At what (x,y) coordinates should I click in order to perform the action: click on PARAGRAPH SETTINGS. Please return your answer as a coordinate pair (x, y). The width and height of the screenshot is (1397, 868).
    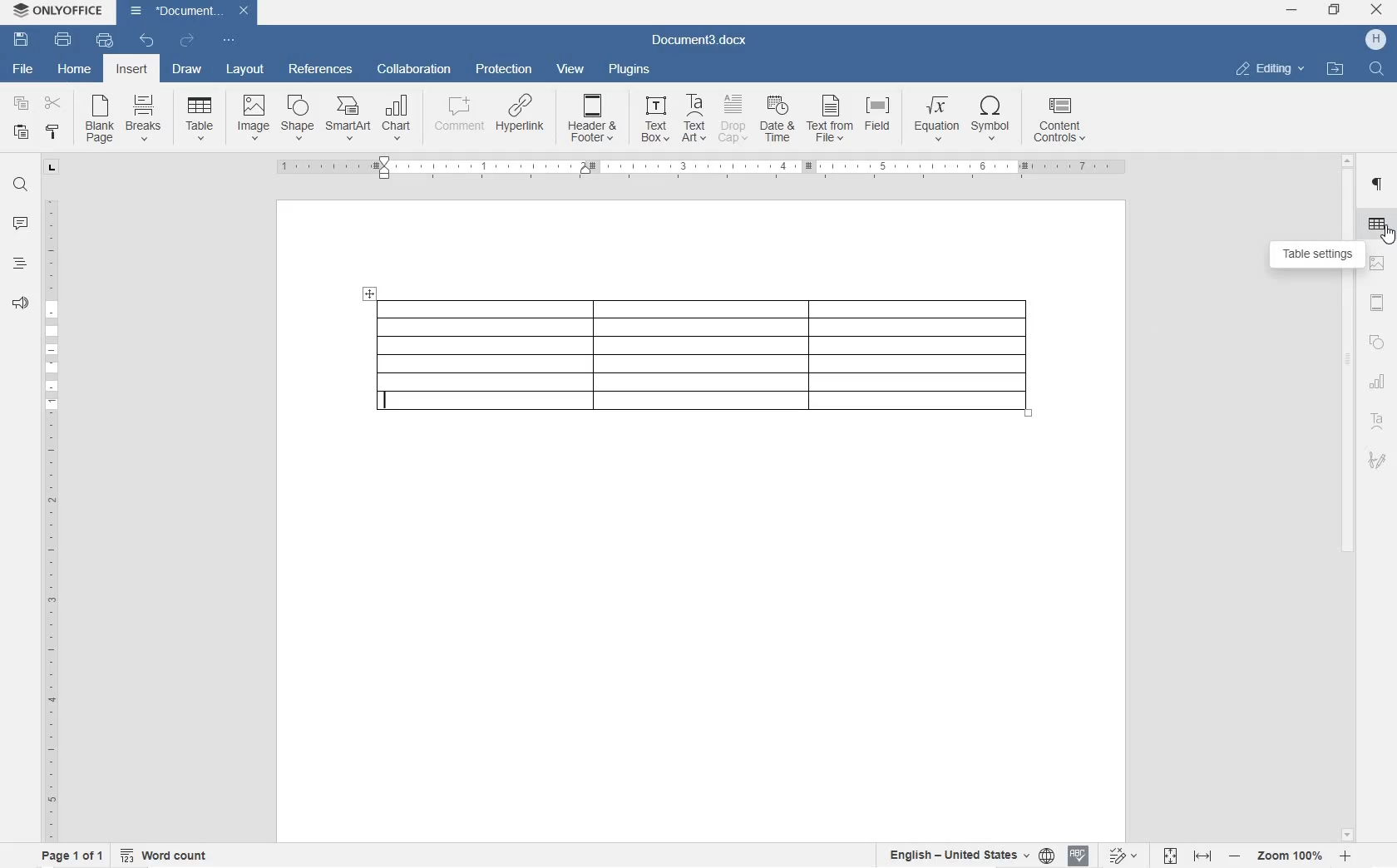
    Looking at the image, I should click on (1378, 185).